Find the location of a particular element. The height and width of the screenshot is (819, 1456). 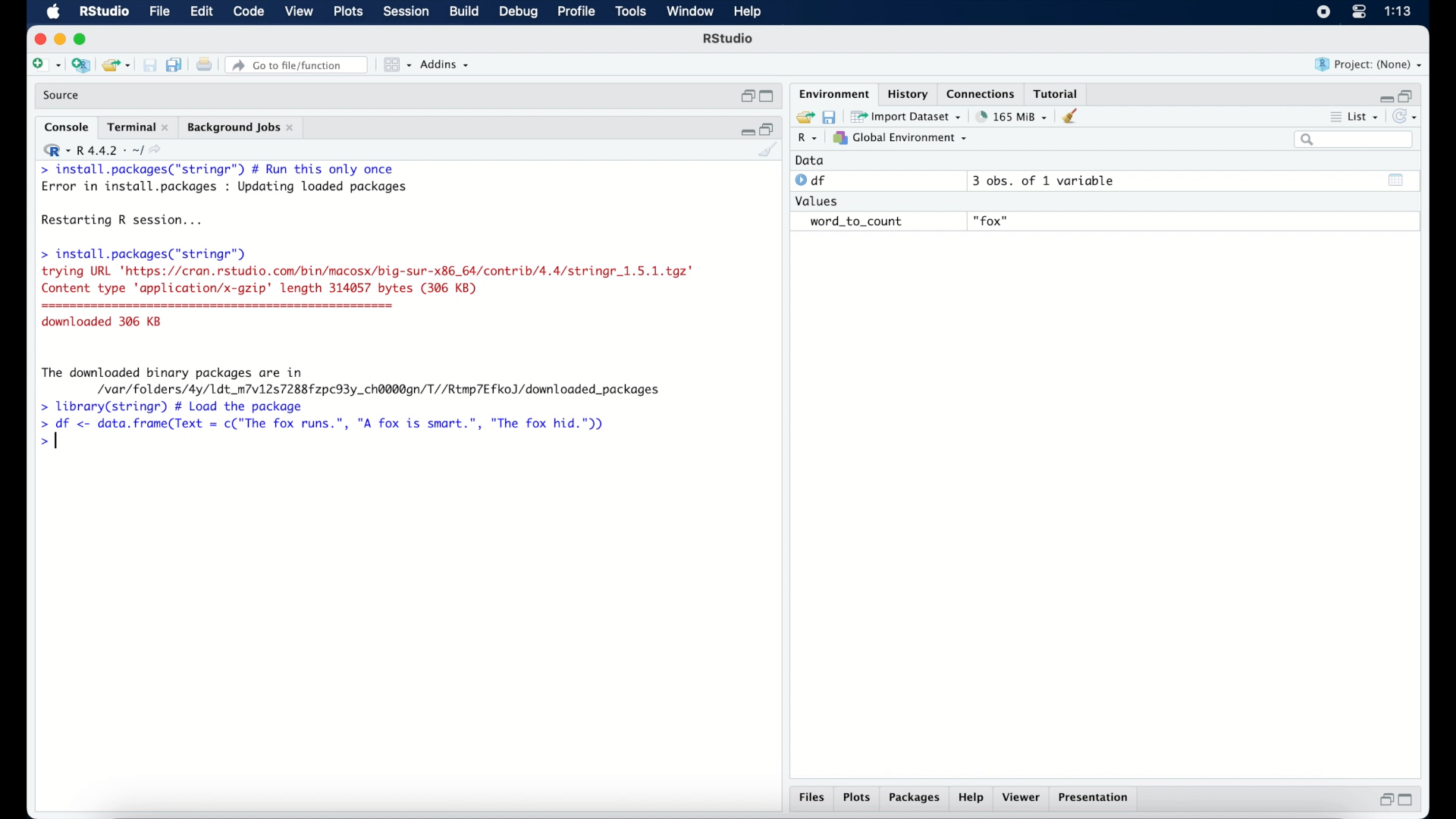

minimize is located at coordinates (745, 130).